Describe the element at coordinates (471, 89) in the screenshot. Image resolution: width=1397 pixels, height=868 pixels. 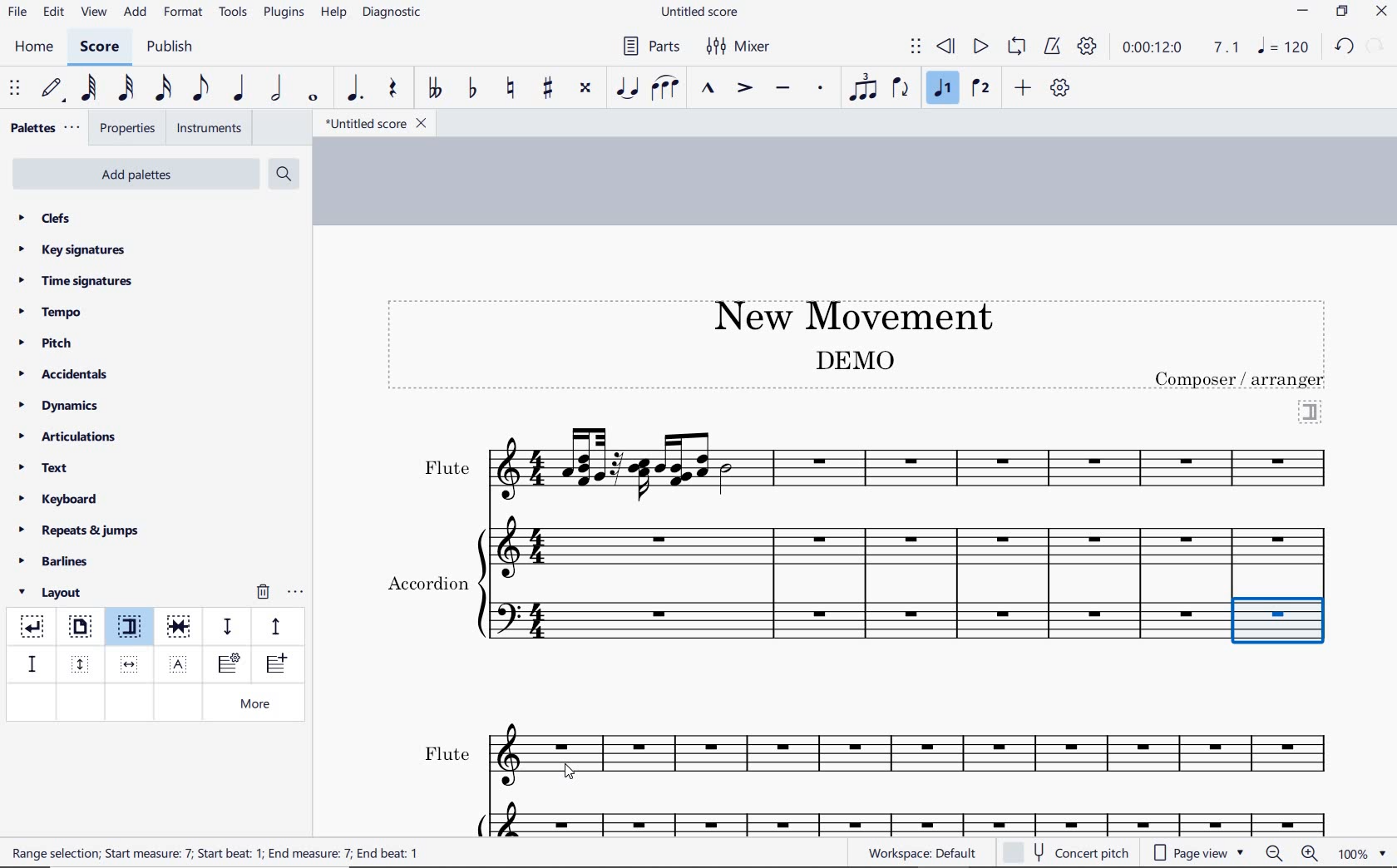
I see `toggle flat` at that location.